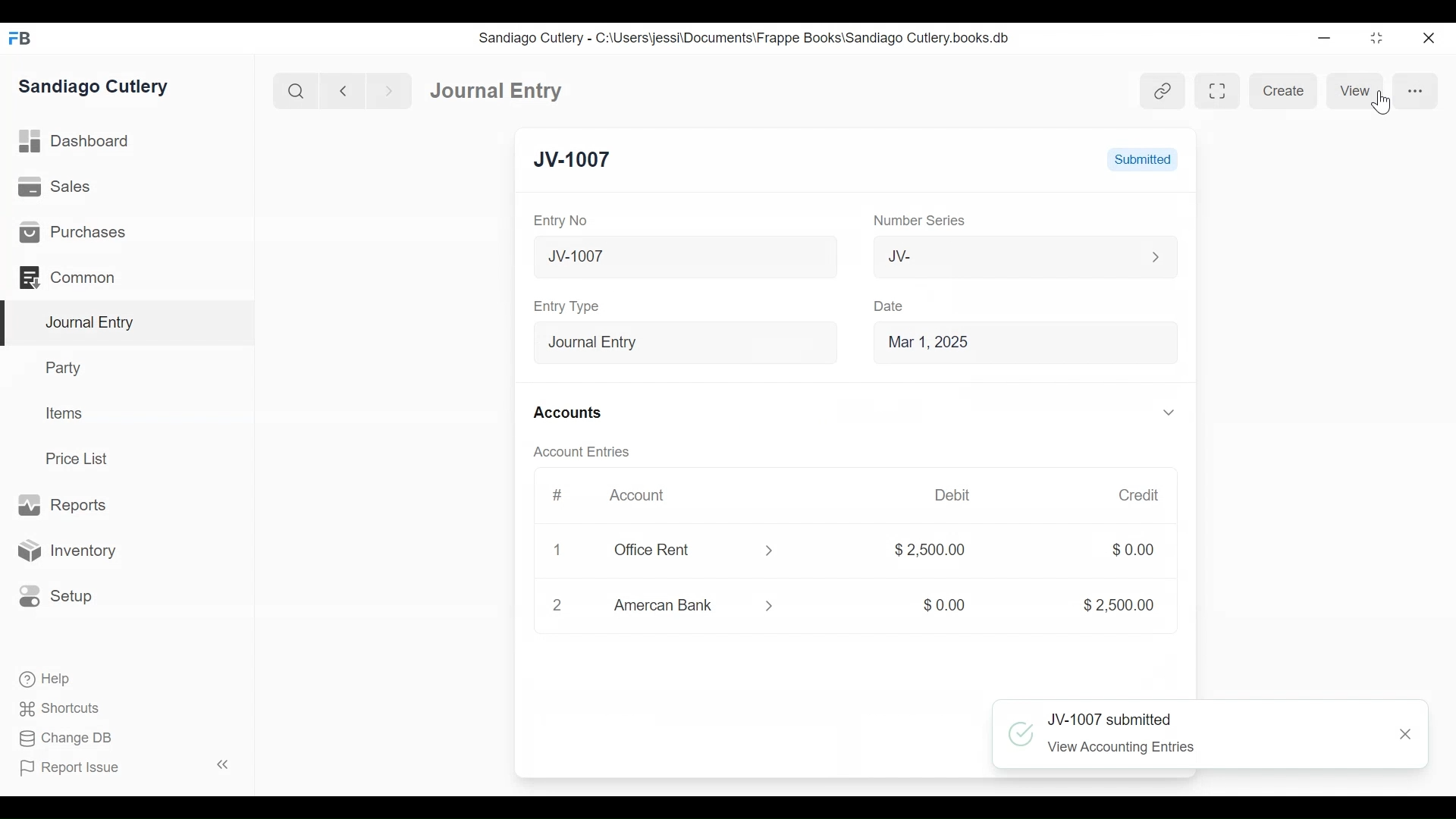  What do you see at coordinates (1285, 90) in the screenshot?
I see `create` at bounding box center [1285, 90].